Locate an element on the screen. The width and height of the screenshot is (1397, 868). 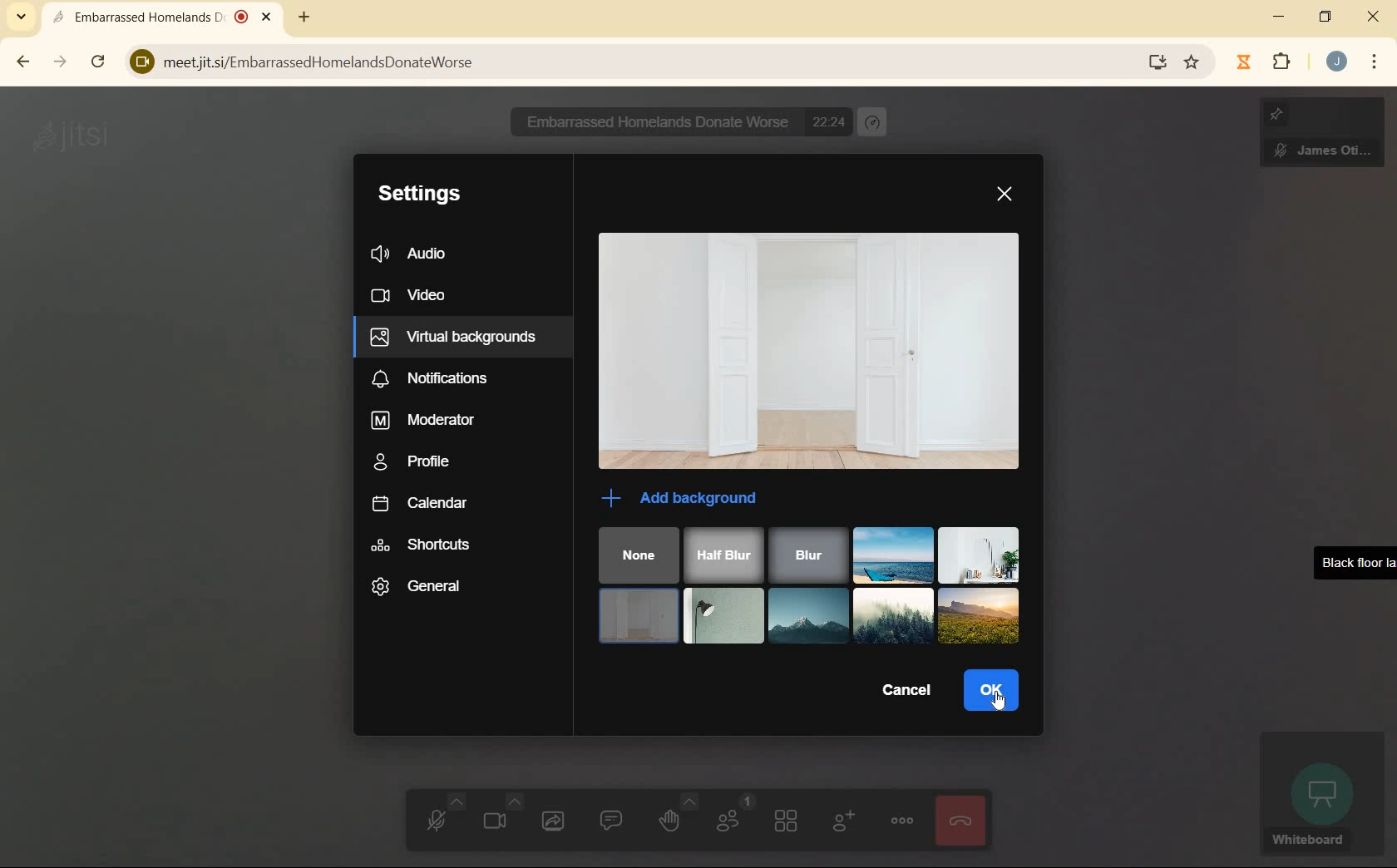
none is located at coordinates (639, 555).